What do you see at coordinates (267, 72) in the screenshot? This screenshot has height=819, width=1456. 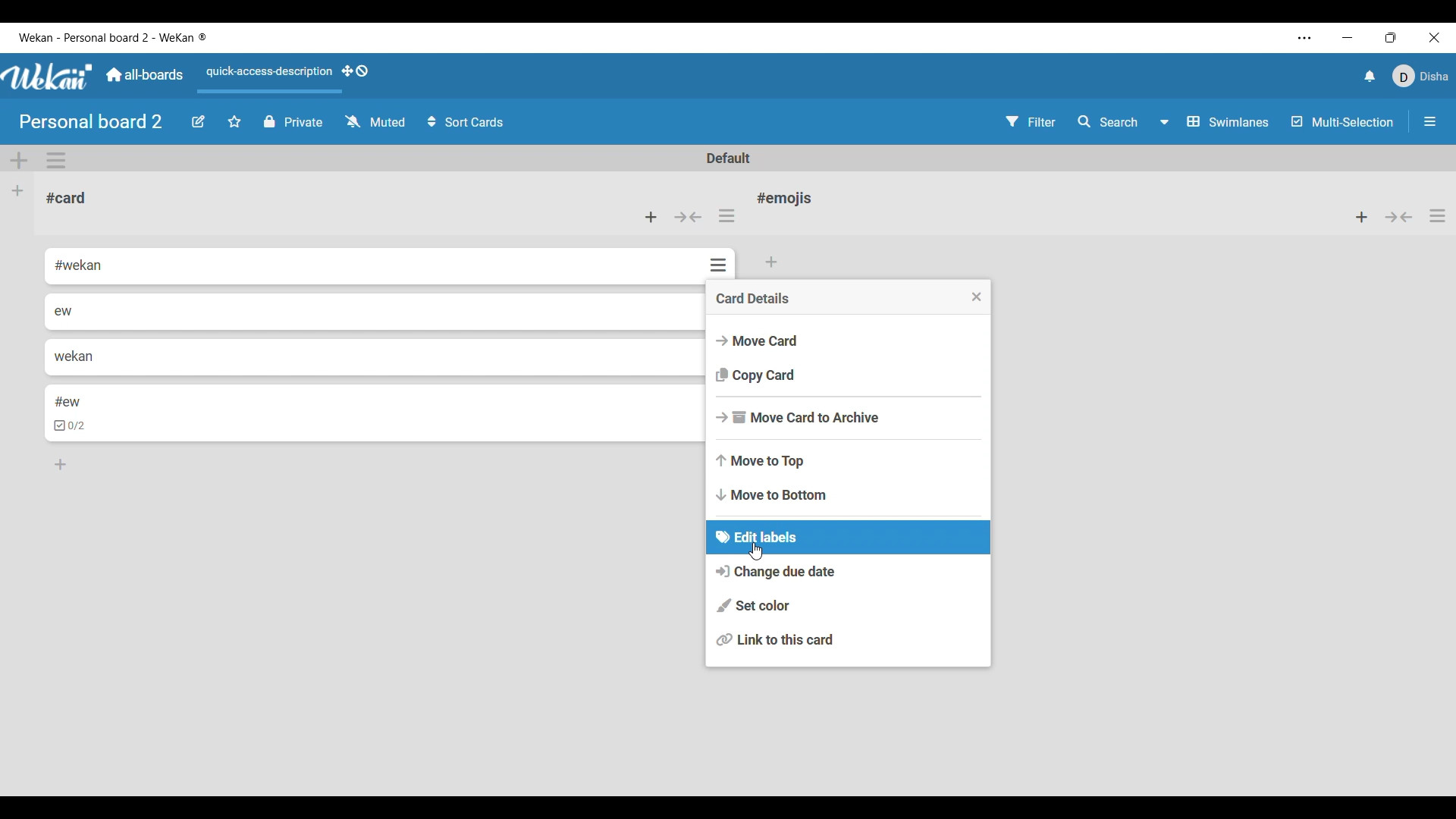 I see `Quick access description` at bounding box center [267, 72].